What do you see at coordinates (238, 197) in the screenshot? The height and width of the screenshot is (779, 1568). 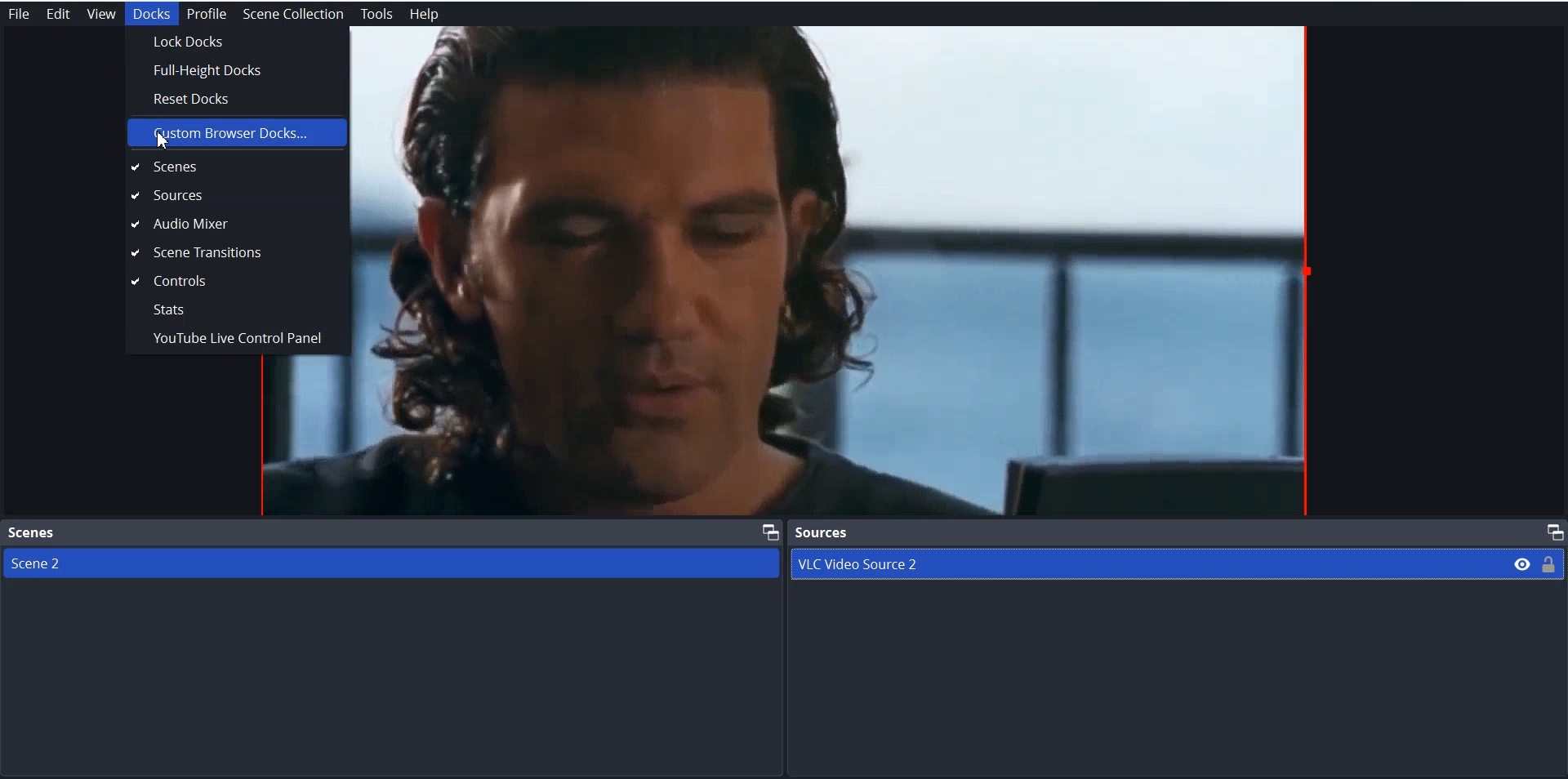 I see `Sources` at bounding box center [238, 197].